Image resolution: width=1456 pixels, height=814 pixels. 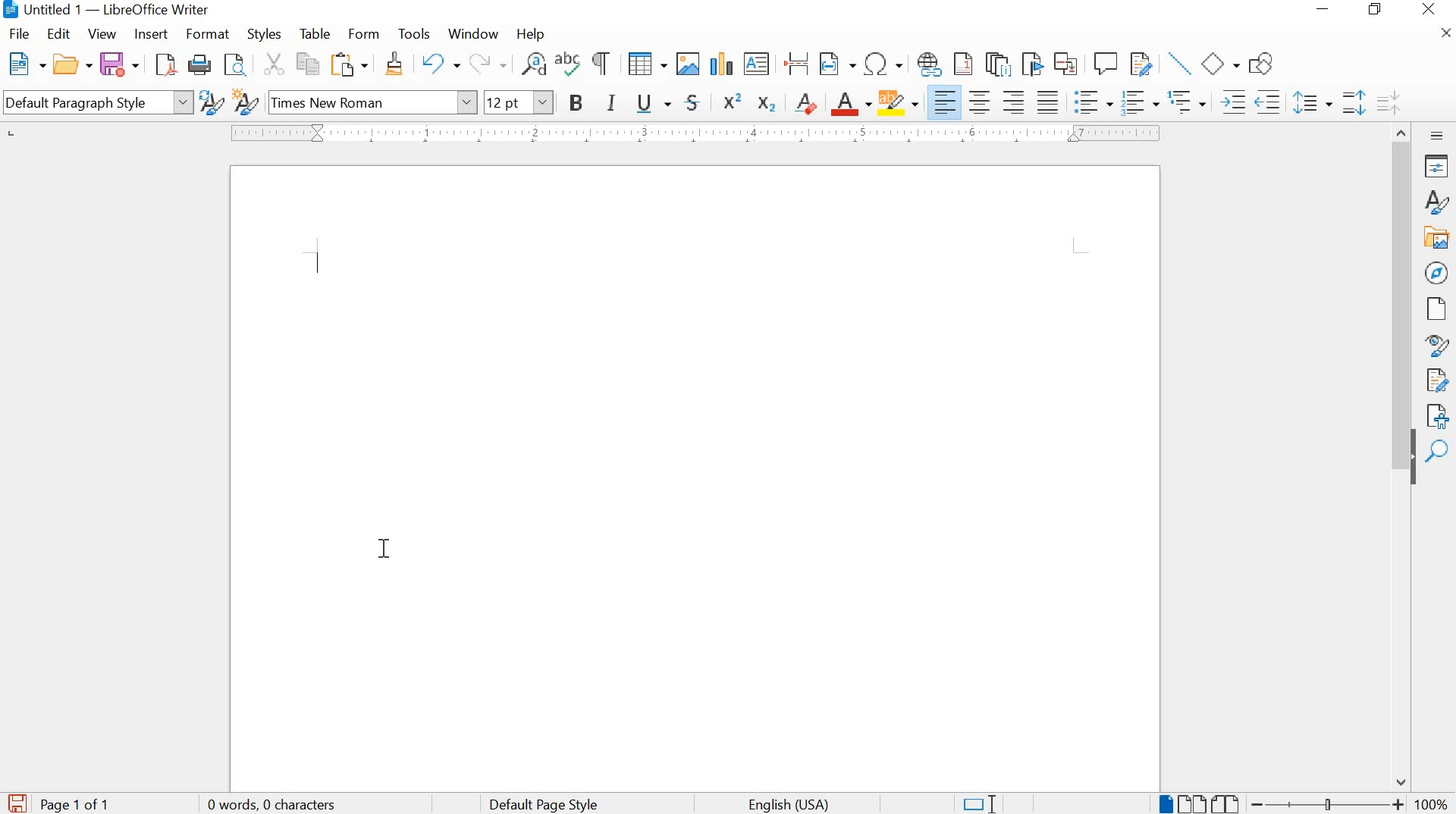 What do you see at coordinates (1403, 456) in the screenshot?
I see `SCROLLBAR` at bounding box center [1403, 456].